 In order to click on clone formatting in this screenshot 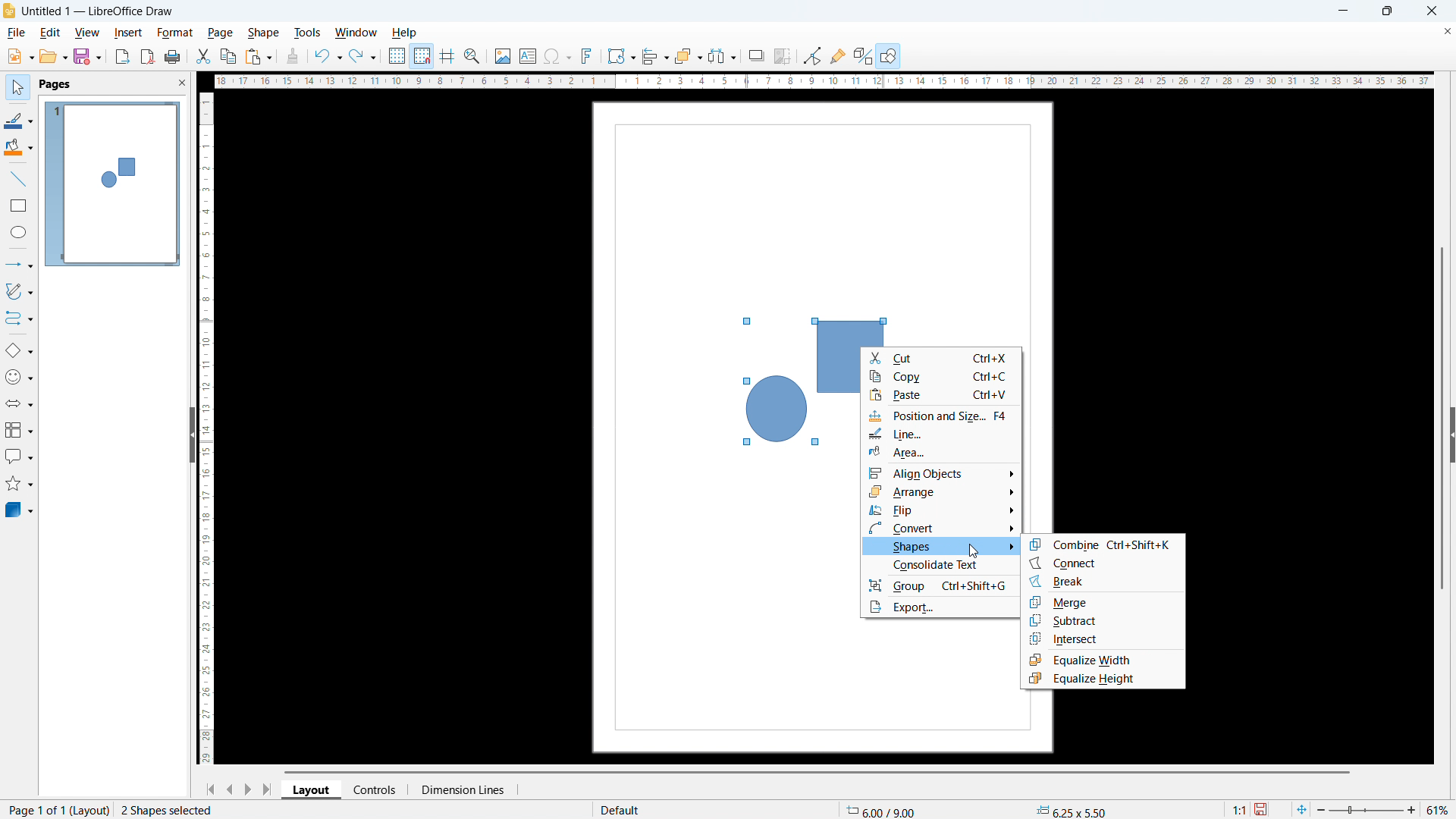, I will do `click(293, 56)`.